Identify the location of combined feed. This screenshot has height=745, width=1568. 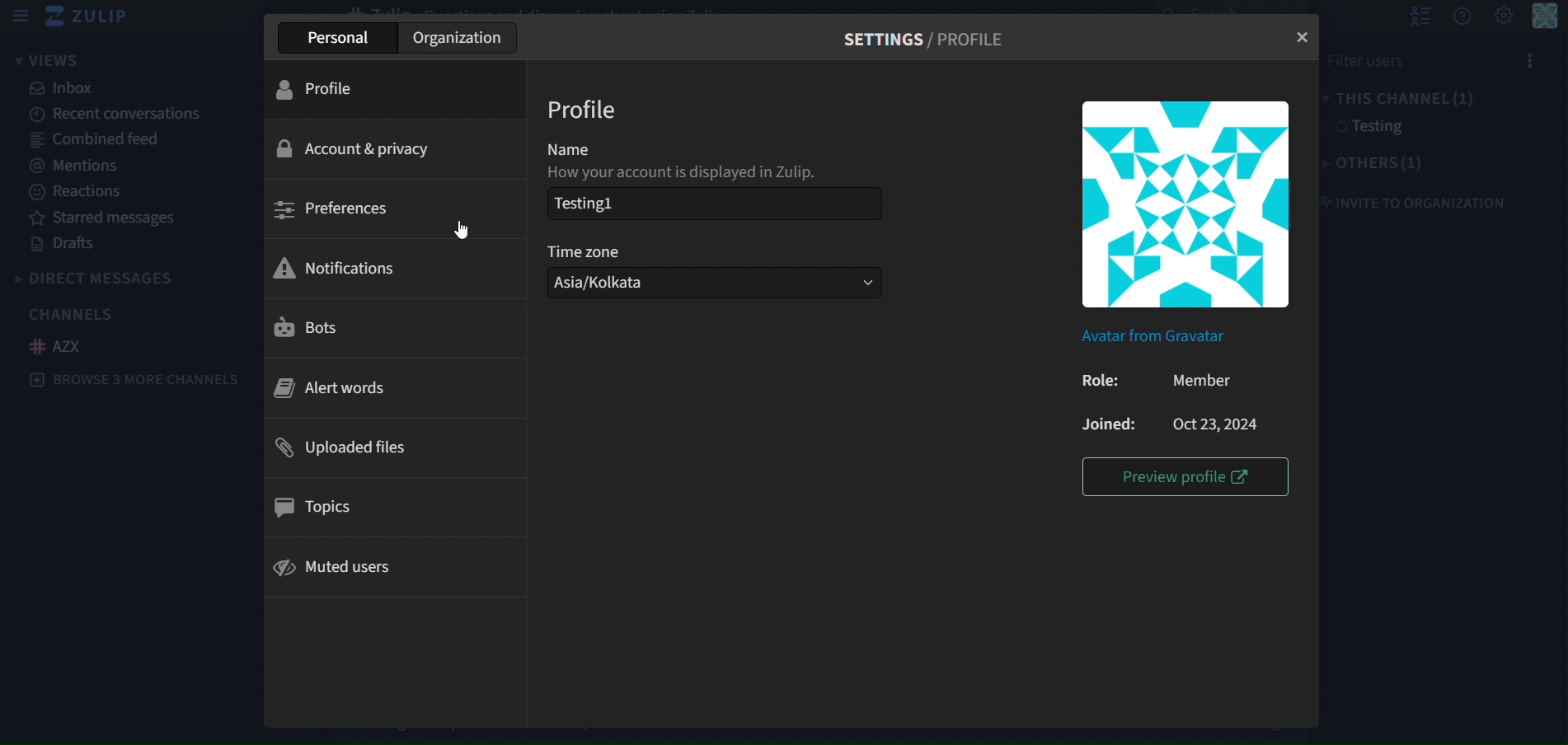
(97, 138).